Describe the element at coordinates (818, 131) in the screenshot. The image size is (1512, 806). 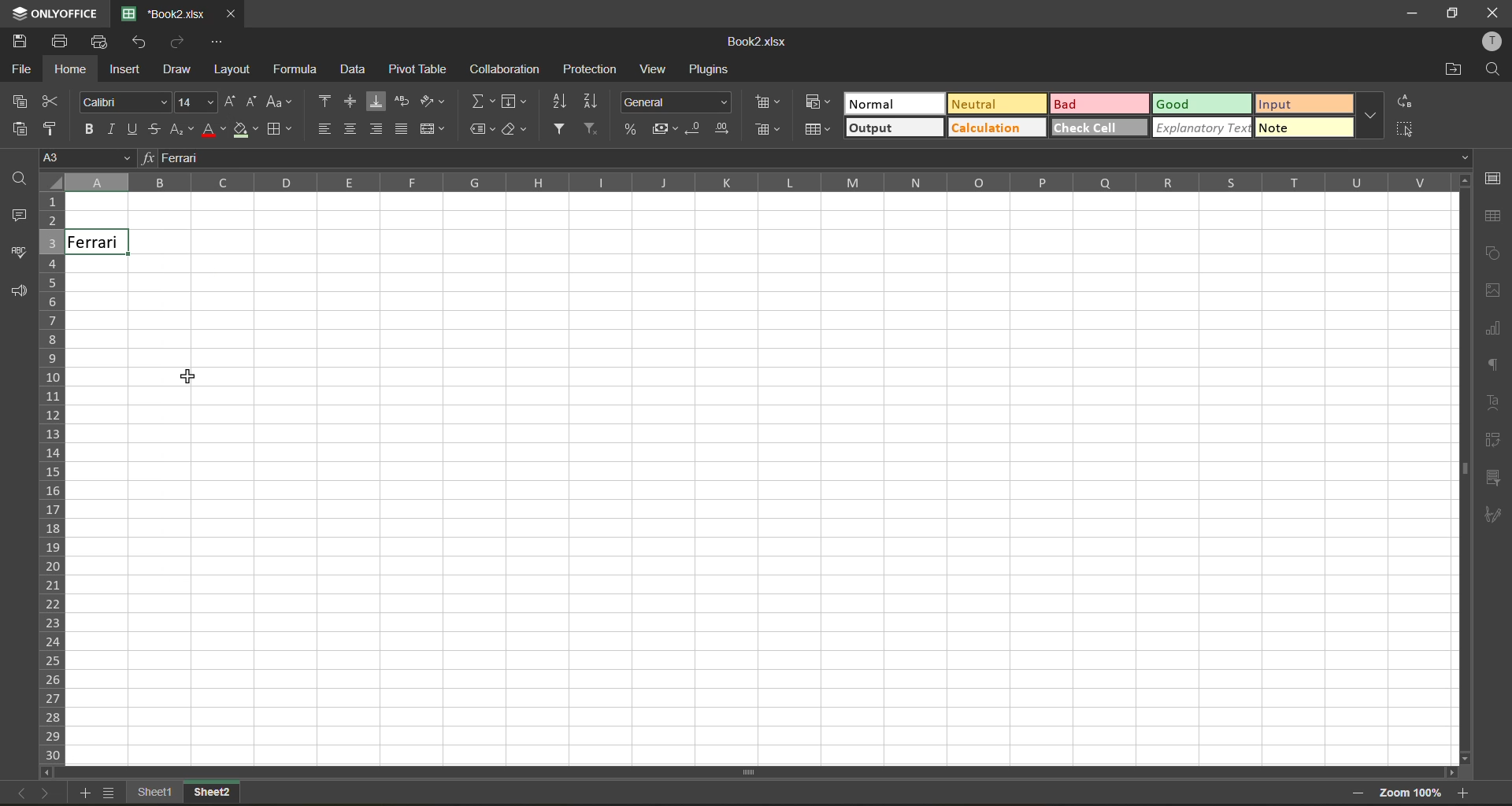
I see `format as table` at that location.